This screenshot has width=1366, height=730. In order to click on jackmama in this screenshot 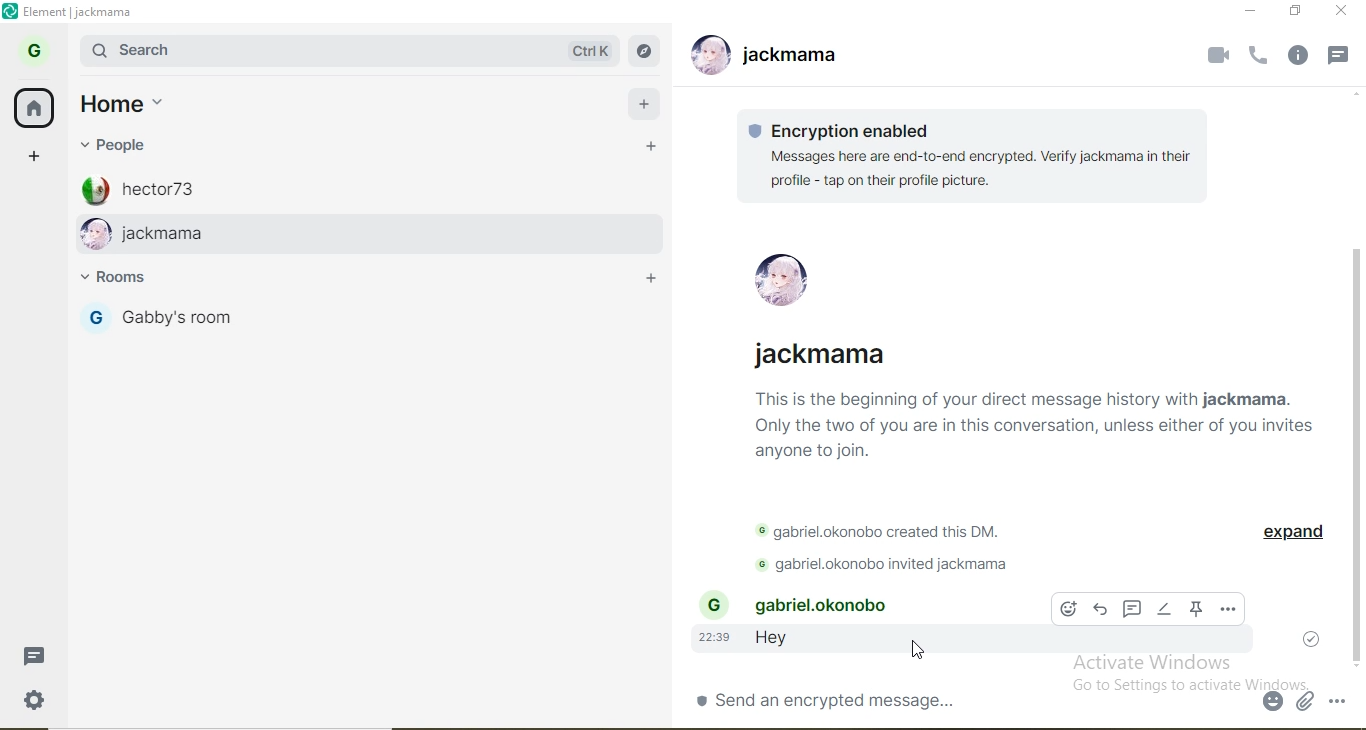, I will do `click(792, 57)`.